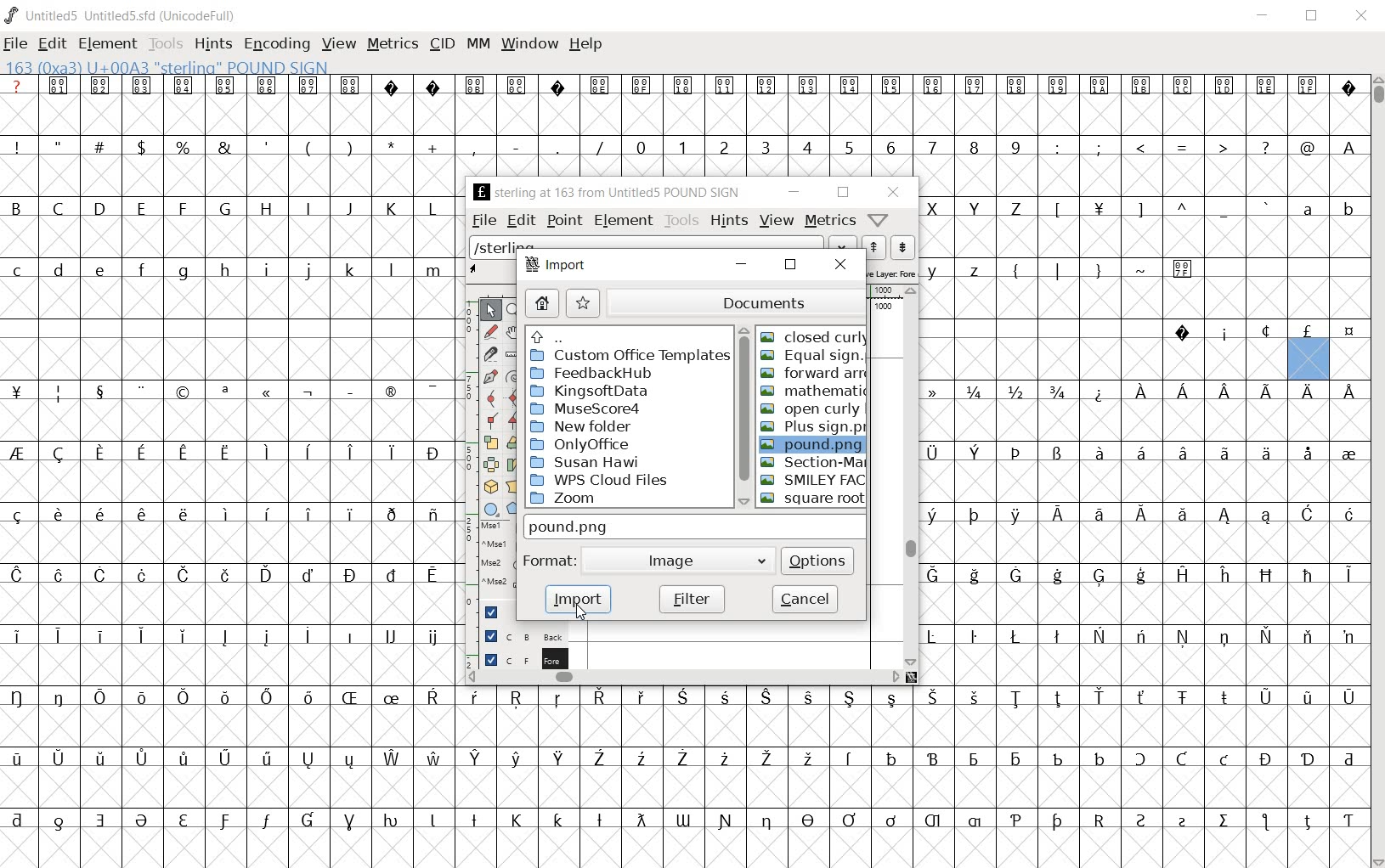 The height and width of the screenshot is (868, 1385). I want to click on f, so click(141, 273).